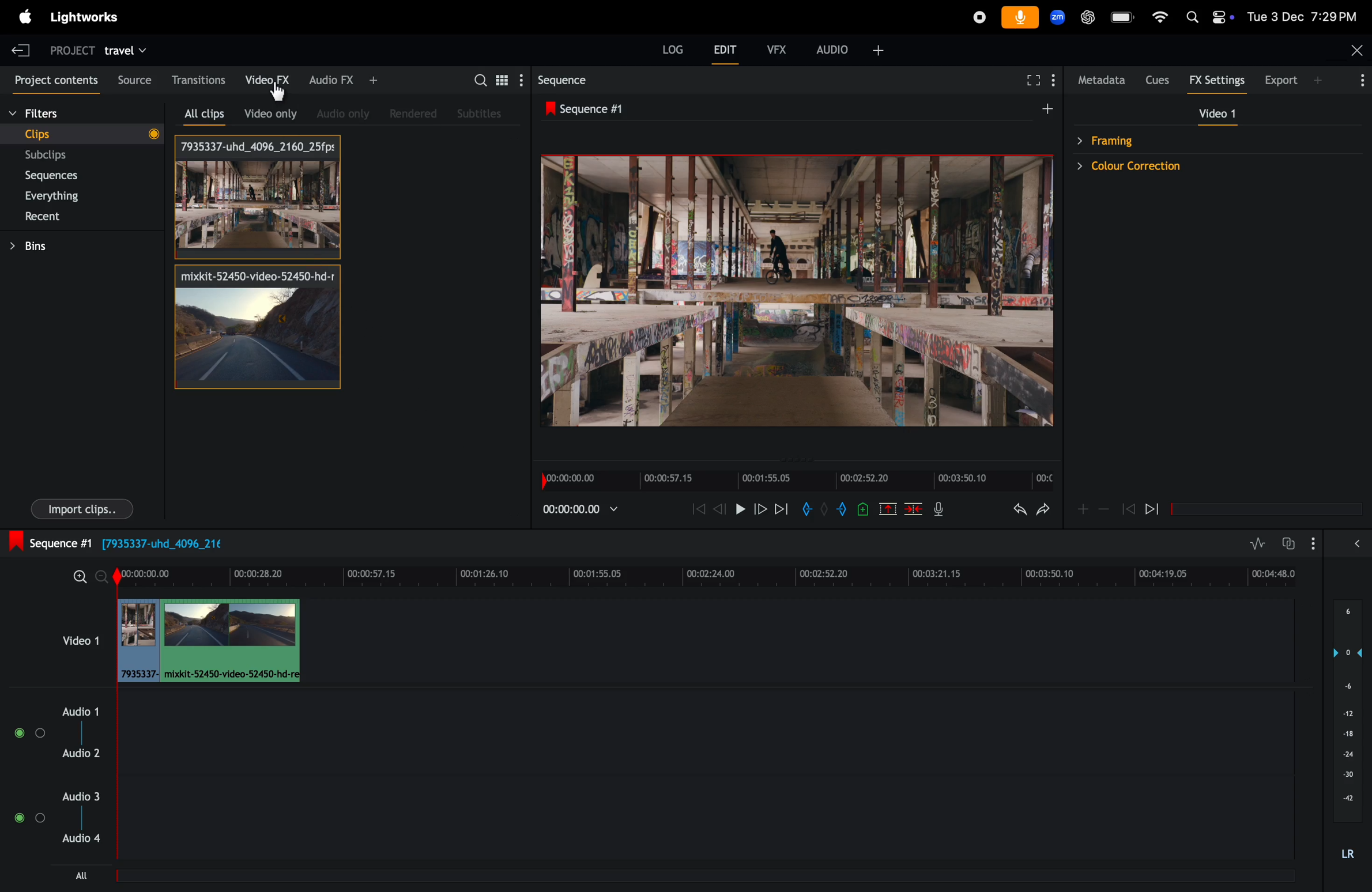 This screenshot has height=892, width=1372. I want to click on pausde, so click(1159, 511).